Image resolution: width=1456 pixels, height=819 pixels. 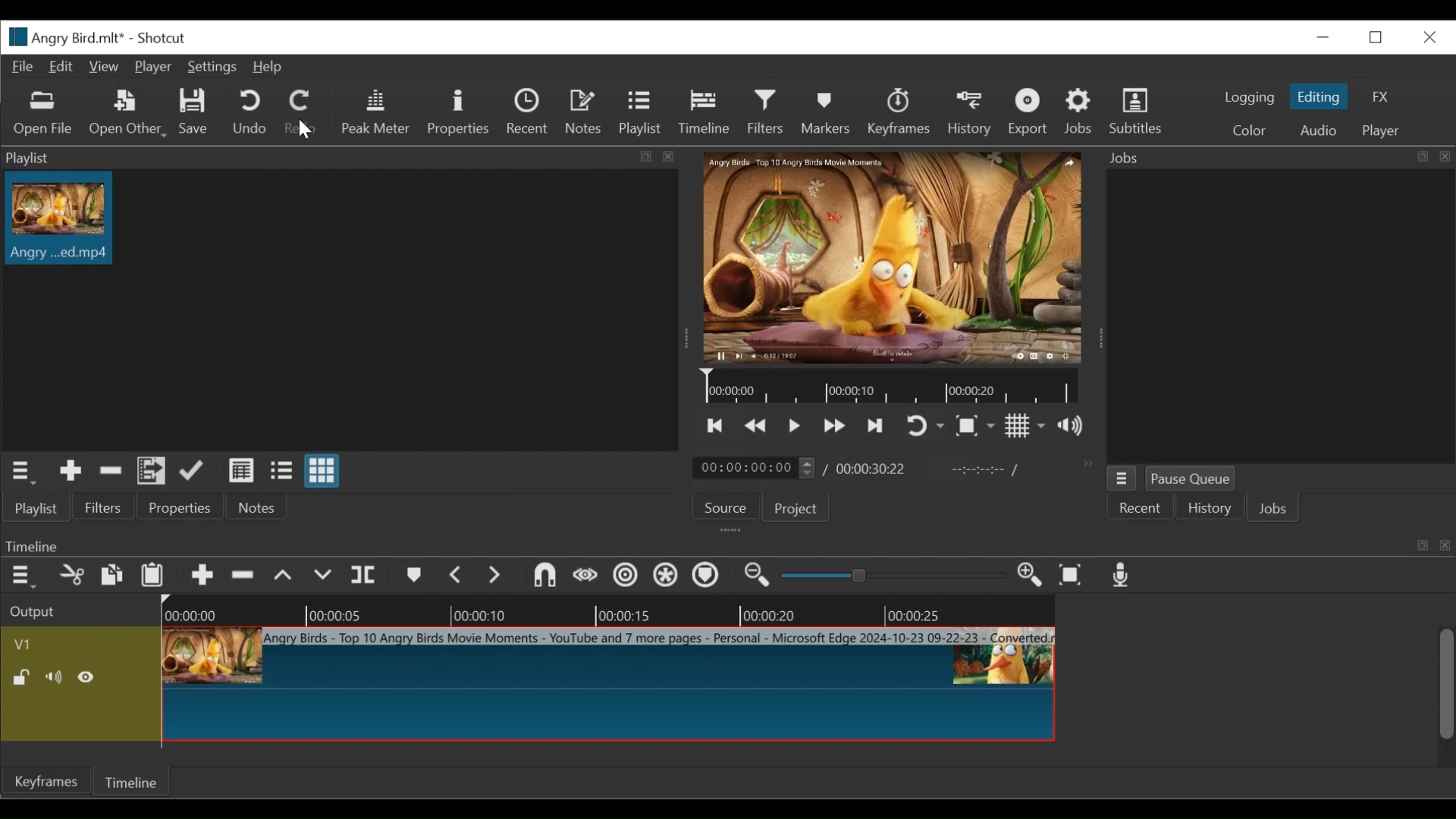 I want to click on player, so click(x=1378, y=131).